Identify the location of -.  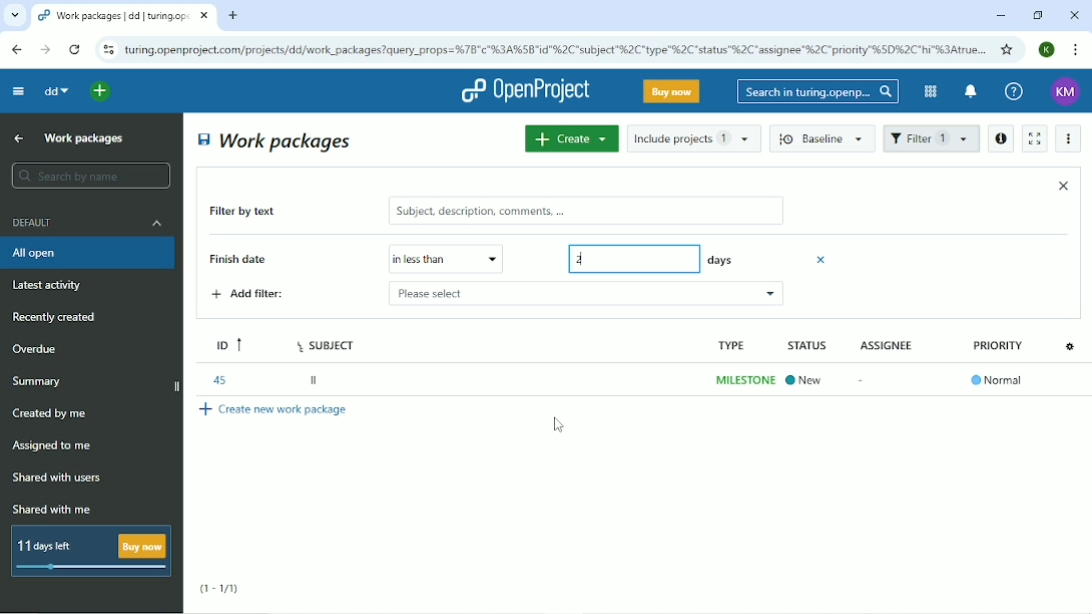
(863, 385).